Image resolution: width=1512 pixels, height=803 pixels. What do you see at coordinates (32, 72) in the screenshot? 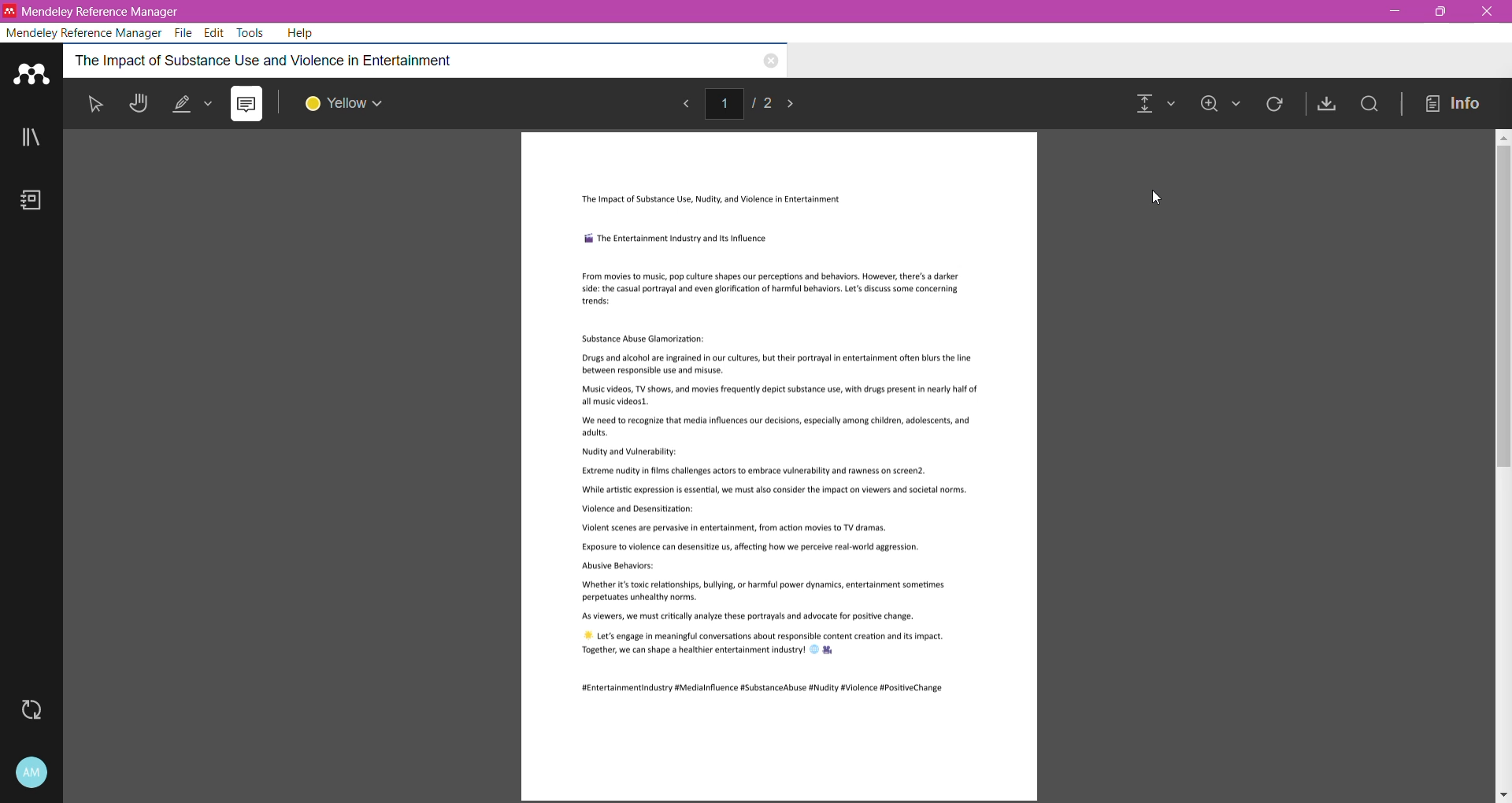
I see `Application Logo` at bounding box center [32, 72].